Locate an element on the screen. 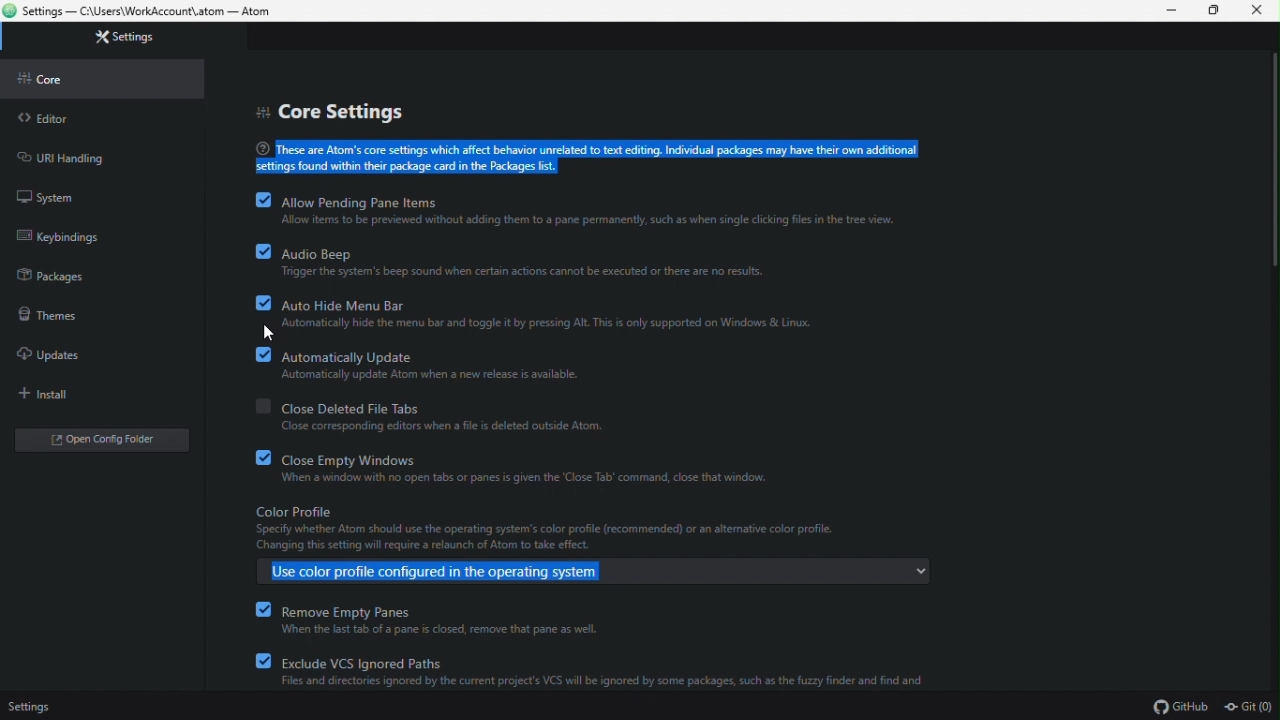 This screenshot has height=720, width=1280. checkbox is located at coordinates (256, 302).